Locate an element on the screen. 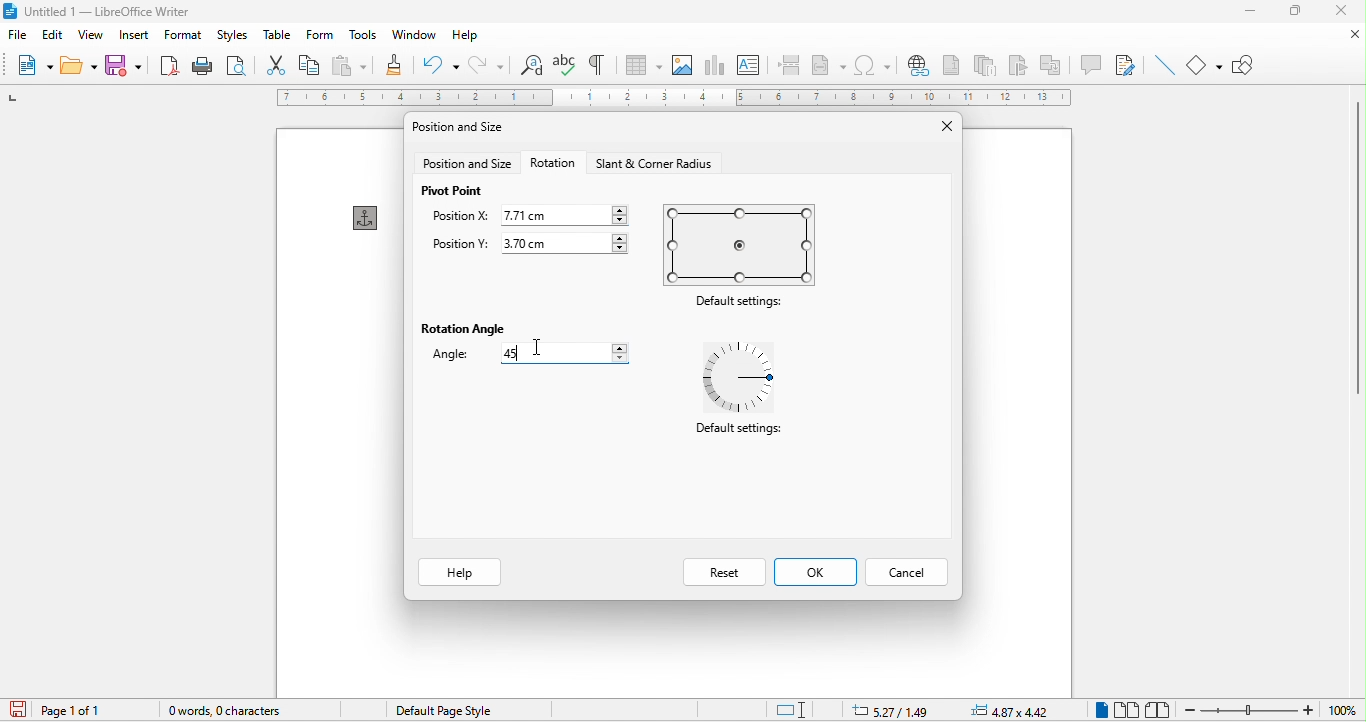 This screenshot has width=1366, height=722. default page style is located at coordinates (438, 711).